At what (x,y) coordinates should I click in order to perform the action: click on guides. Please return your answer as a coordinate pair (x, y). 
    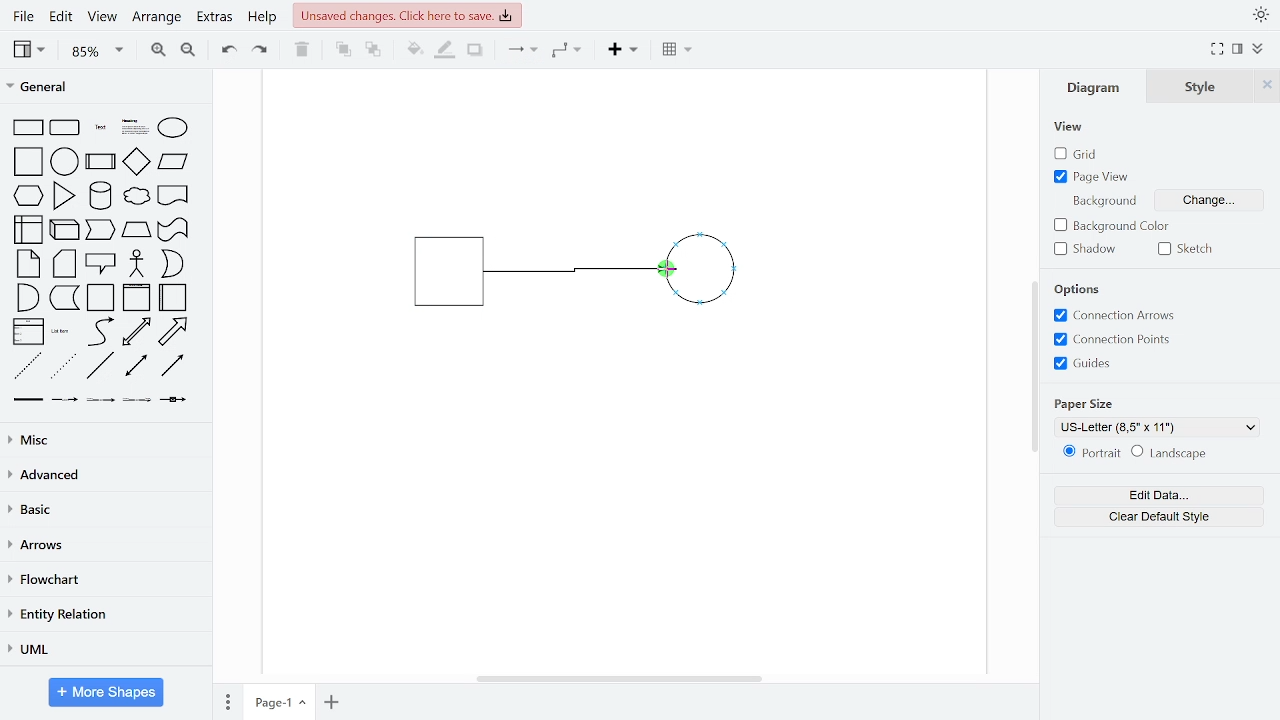
    Looking at the image, I should click on (1083, 363).